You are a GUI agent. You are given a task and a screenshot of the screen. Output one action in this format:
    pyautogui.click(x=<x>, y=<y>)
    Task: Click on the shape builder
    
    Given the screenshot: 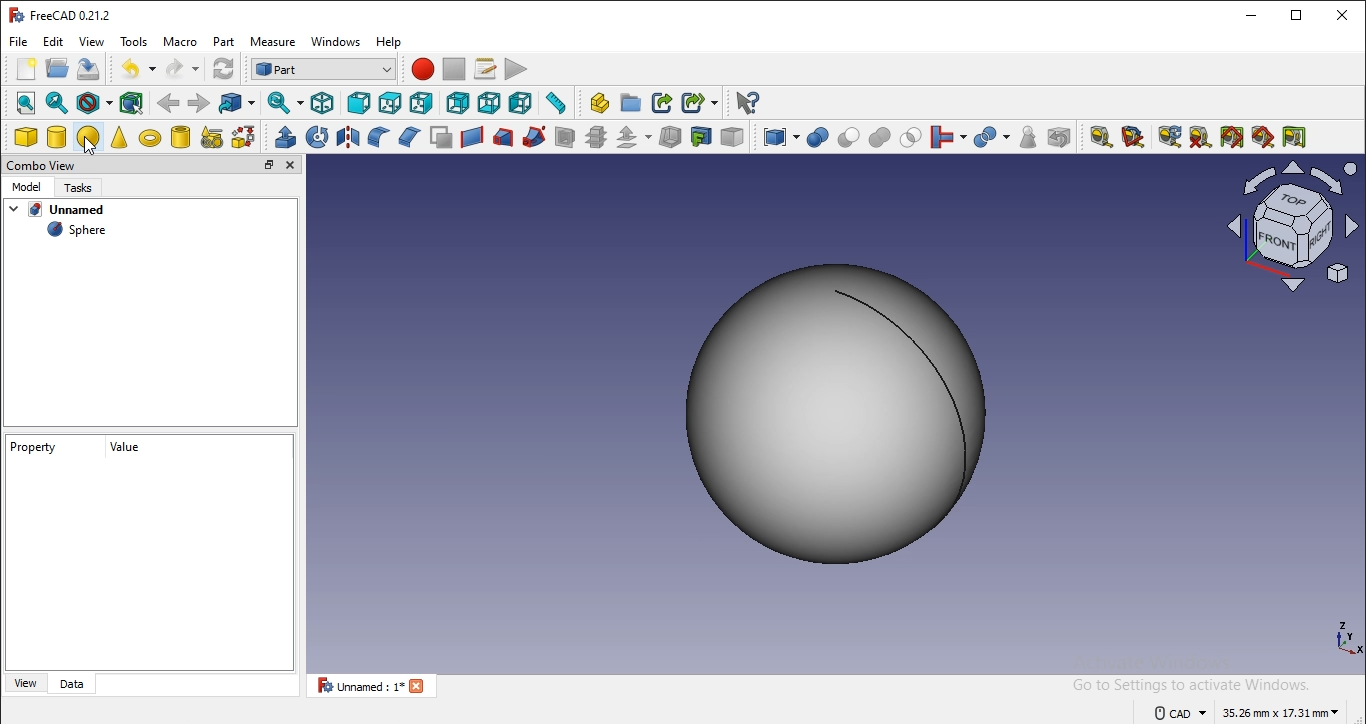 What is the action you would take?
    pyautogui.click(x=244, y=136)
    